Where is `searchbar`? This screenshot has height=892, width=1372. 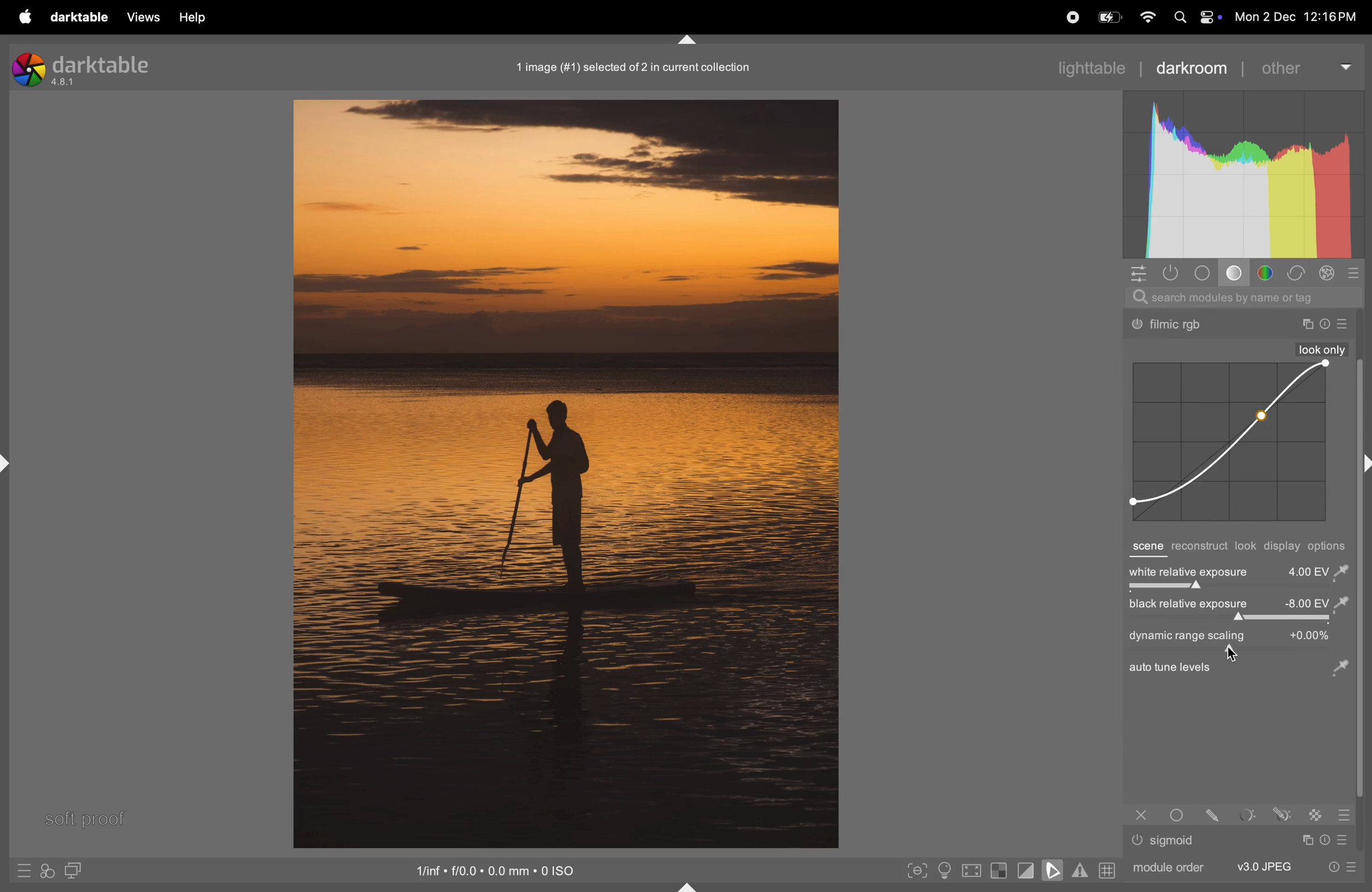 searchbar is located at coordinates (1243, 297).